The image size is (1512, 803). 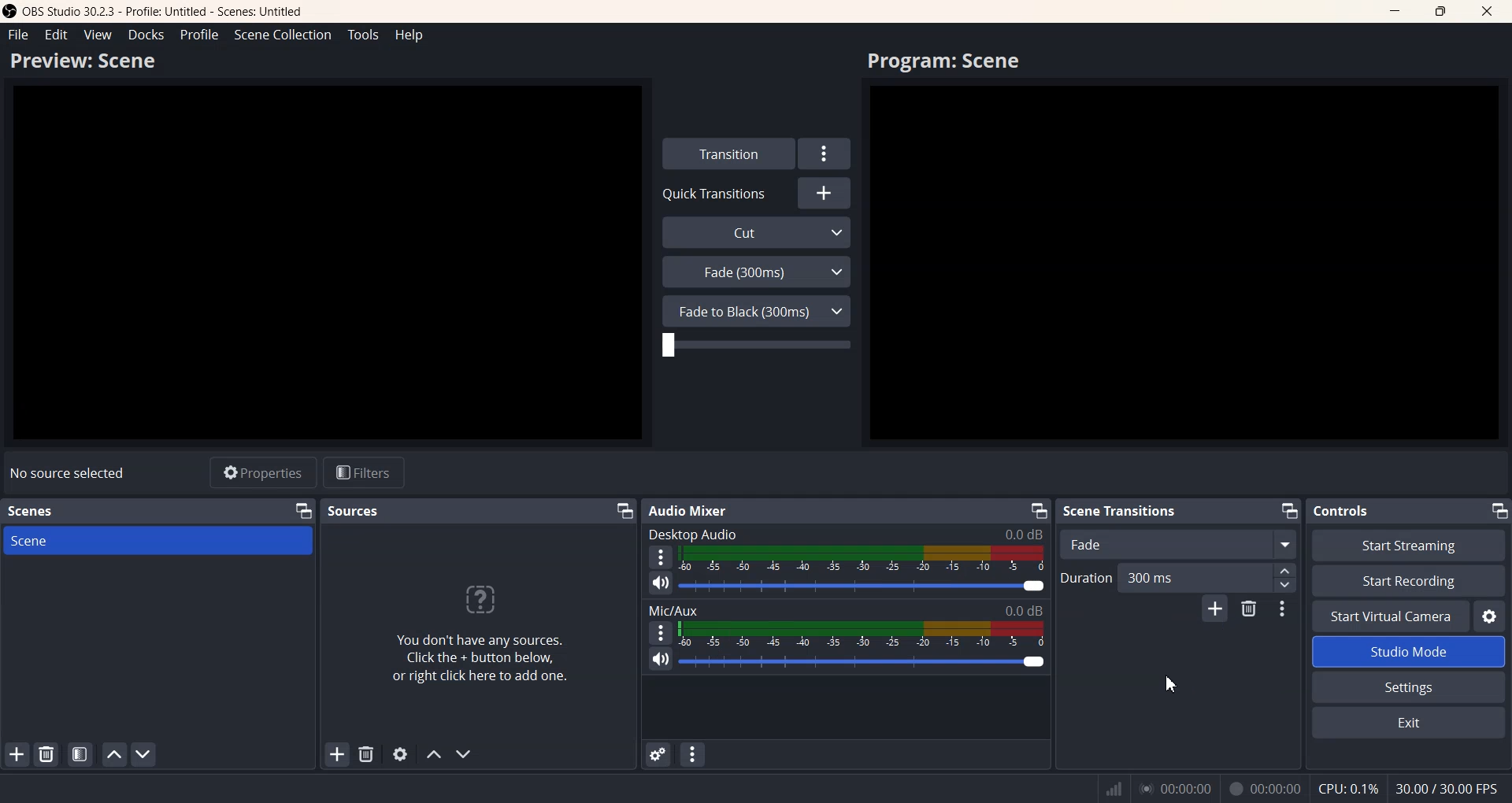 I want to click on Sources , so click(x=354, y=511).